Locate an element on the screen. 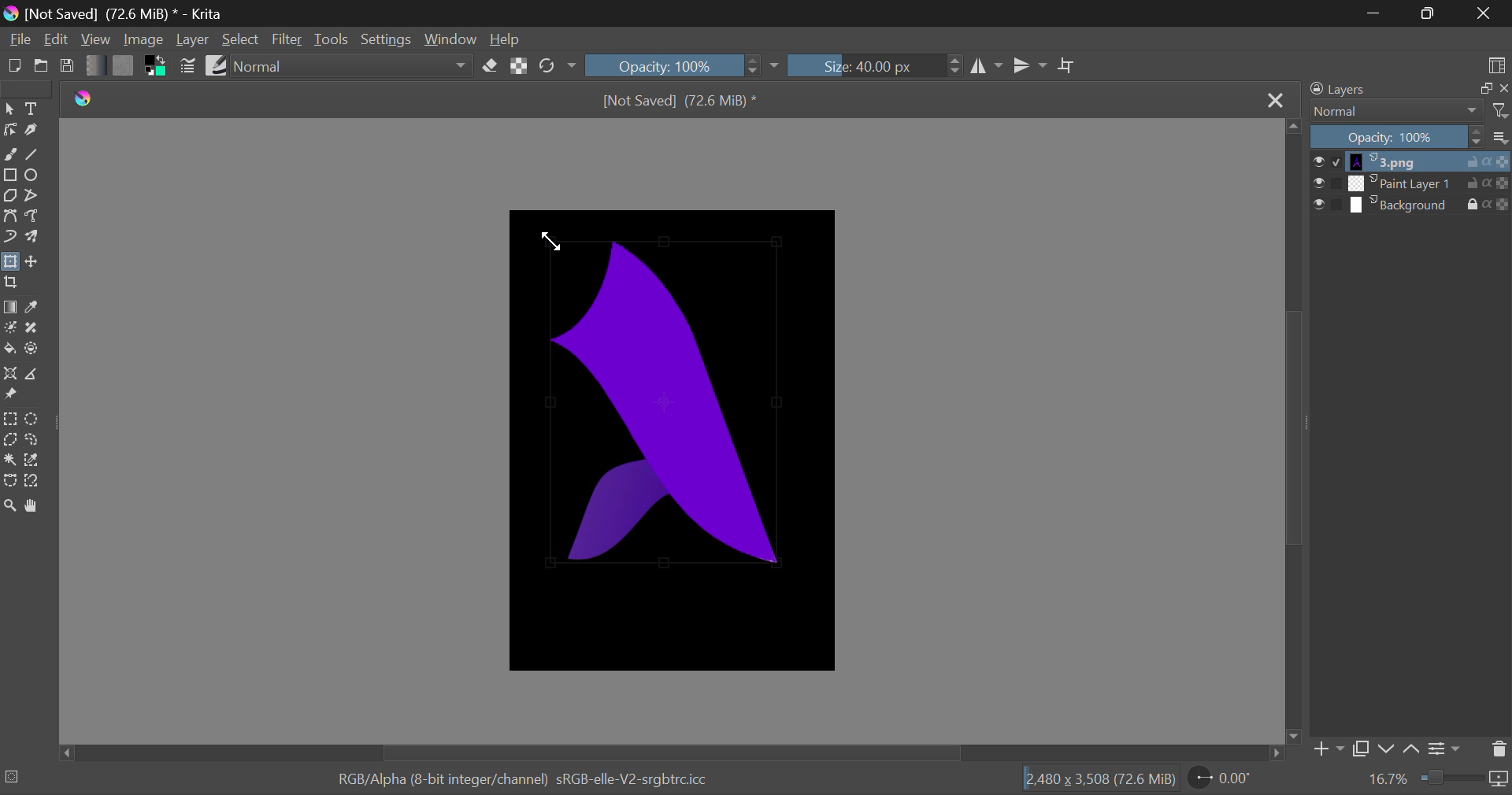 The width and height of the screenshot is (1512, 795). close is located at coordinates (1503, 87).